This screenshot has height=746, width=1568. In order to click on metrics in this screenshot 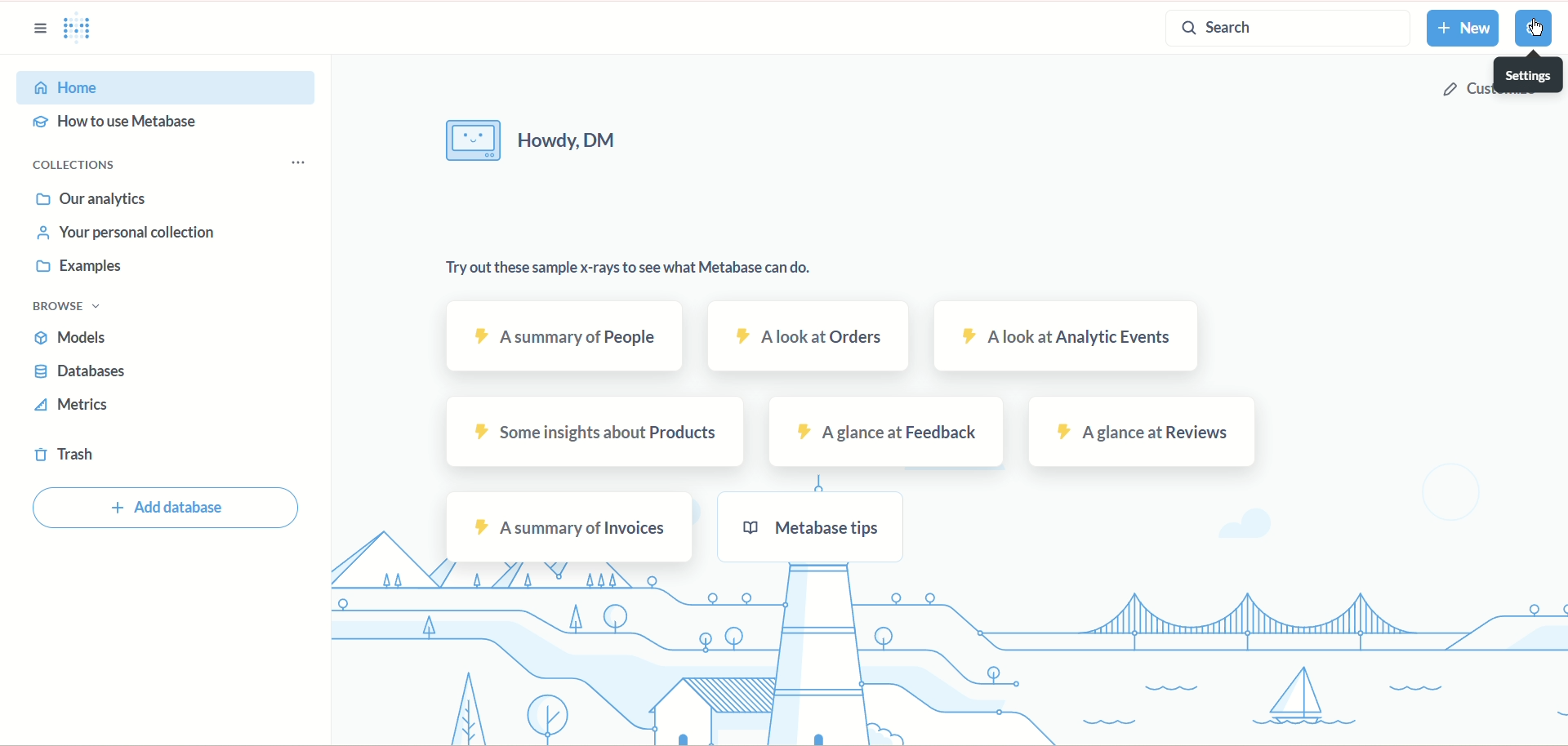, I will do `click(69, 406)`.